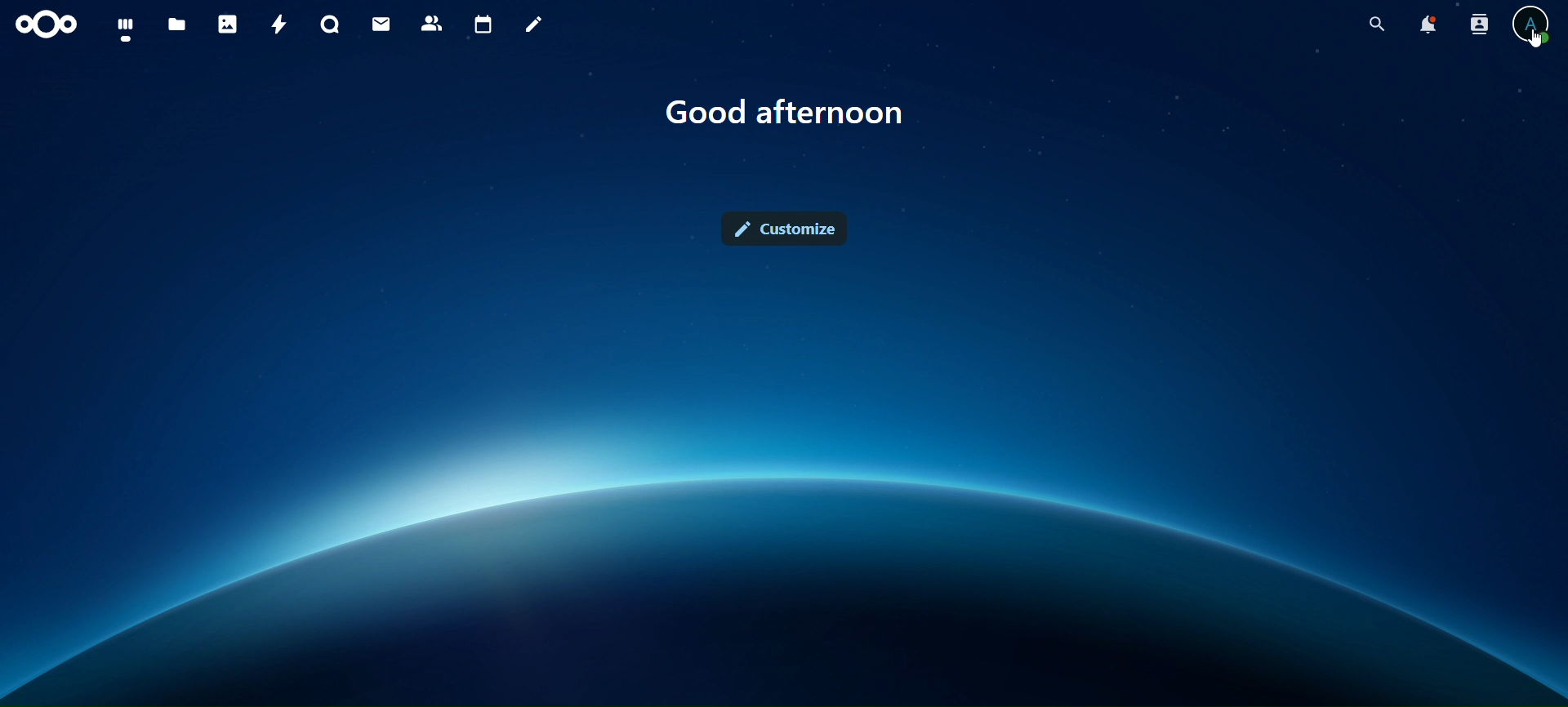 The height and width of the screenshot is (707, 1568). What do you see at coordinates (226, 24) in the screenshot?
I see `photos` at bounding box center [226, 24].